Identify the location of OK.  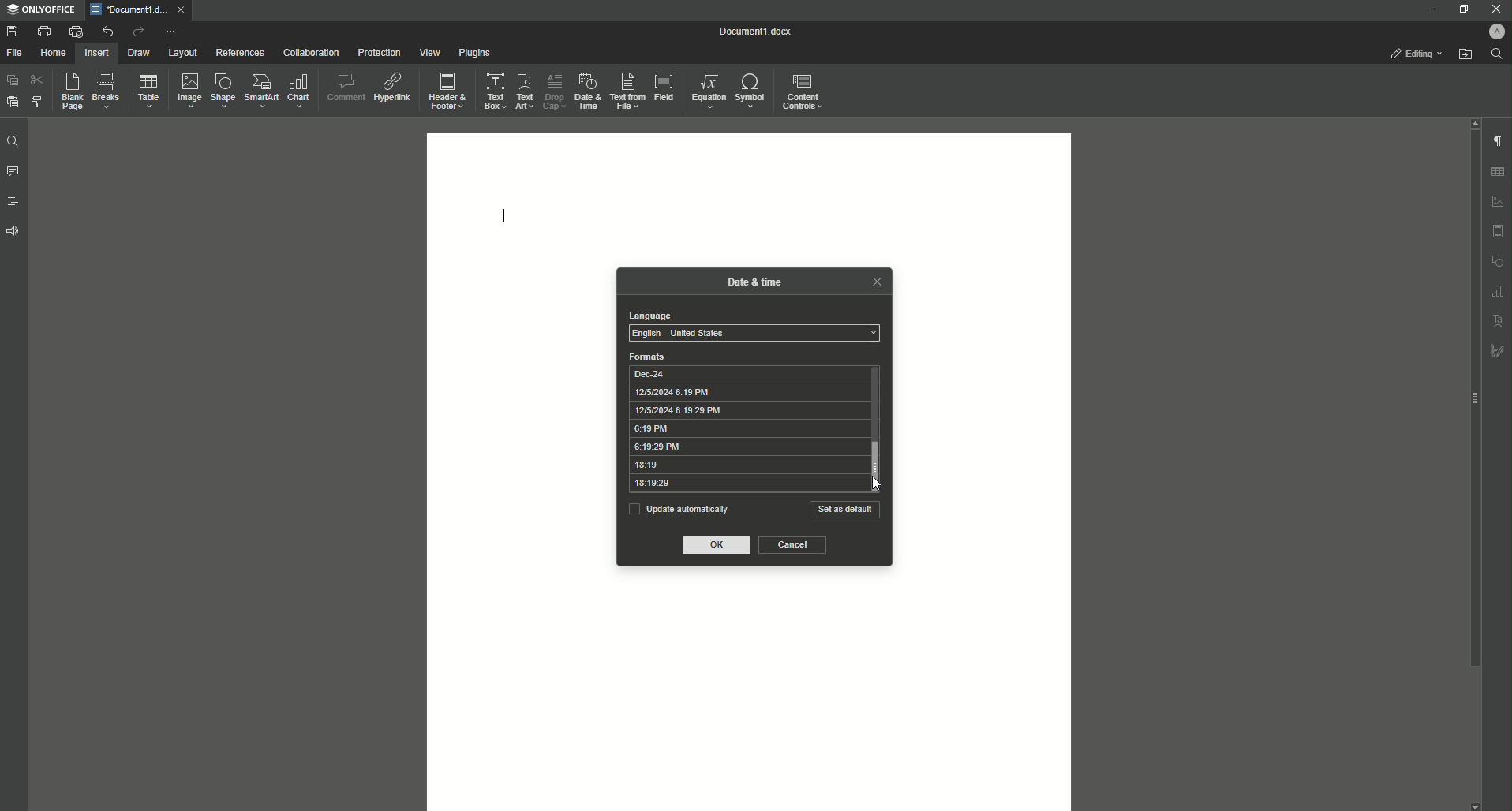
(718, 546).